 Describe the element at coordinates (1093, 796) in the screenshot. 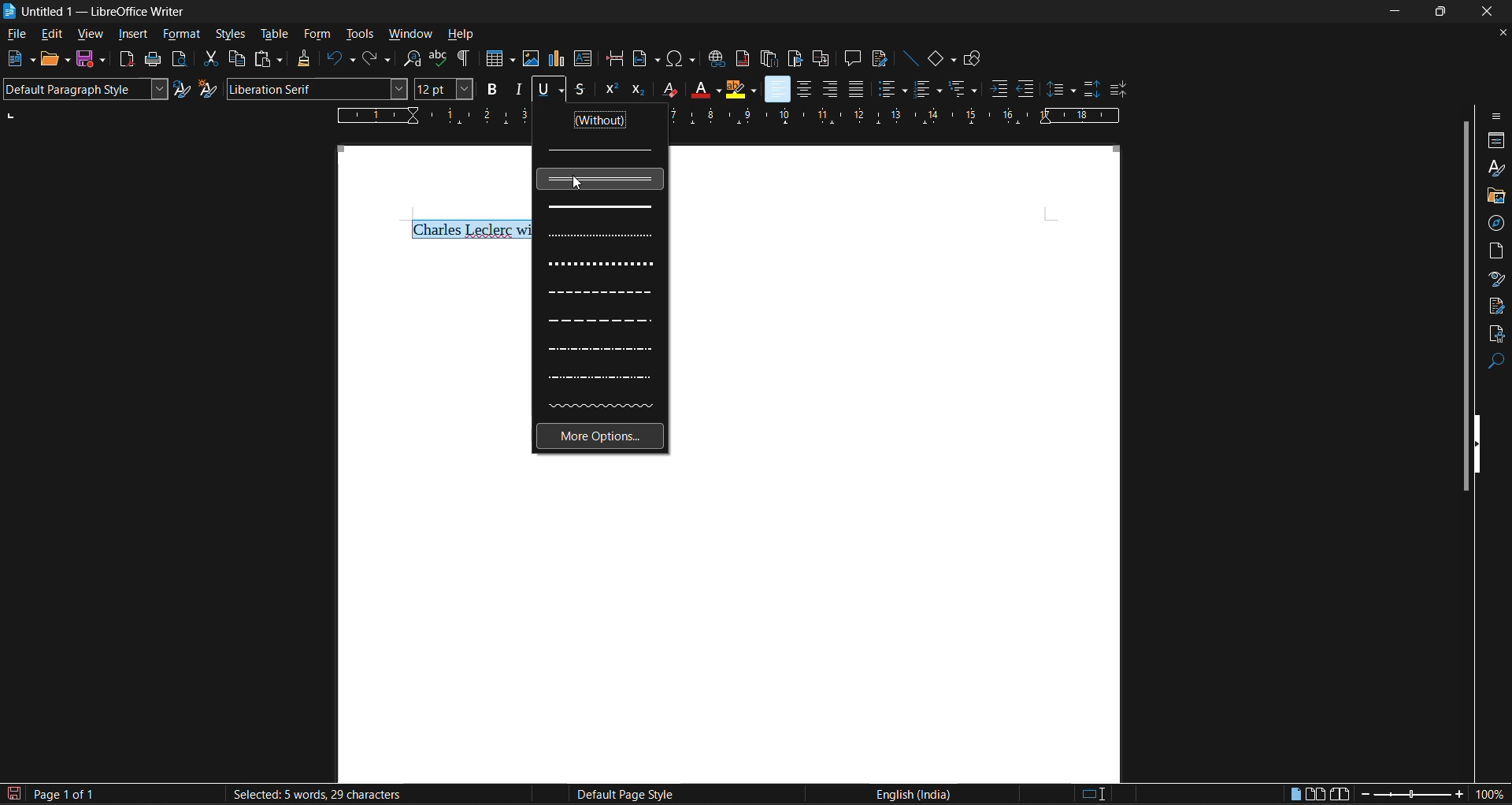

I see `standard selection` at that location.